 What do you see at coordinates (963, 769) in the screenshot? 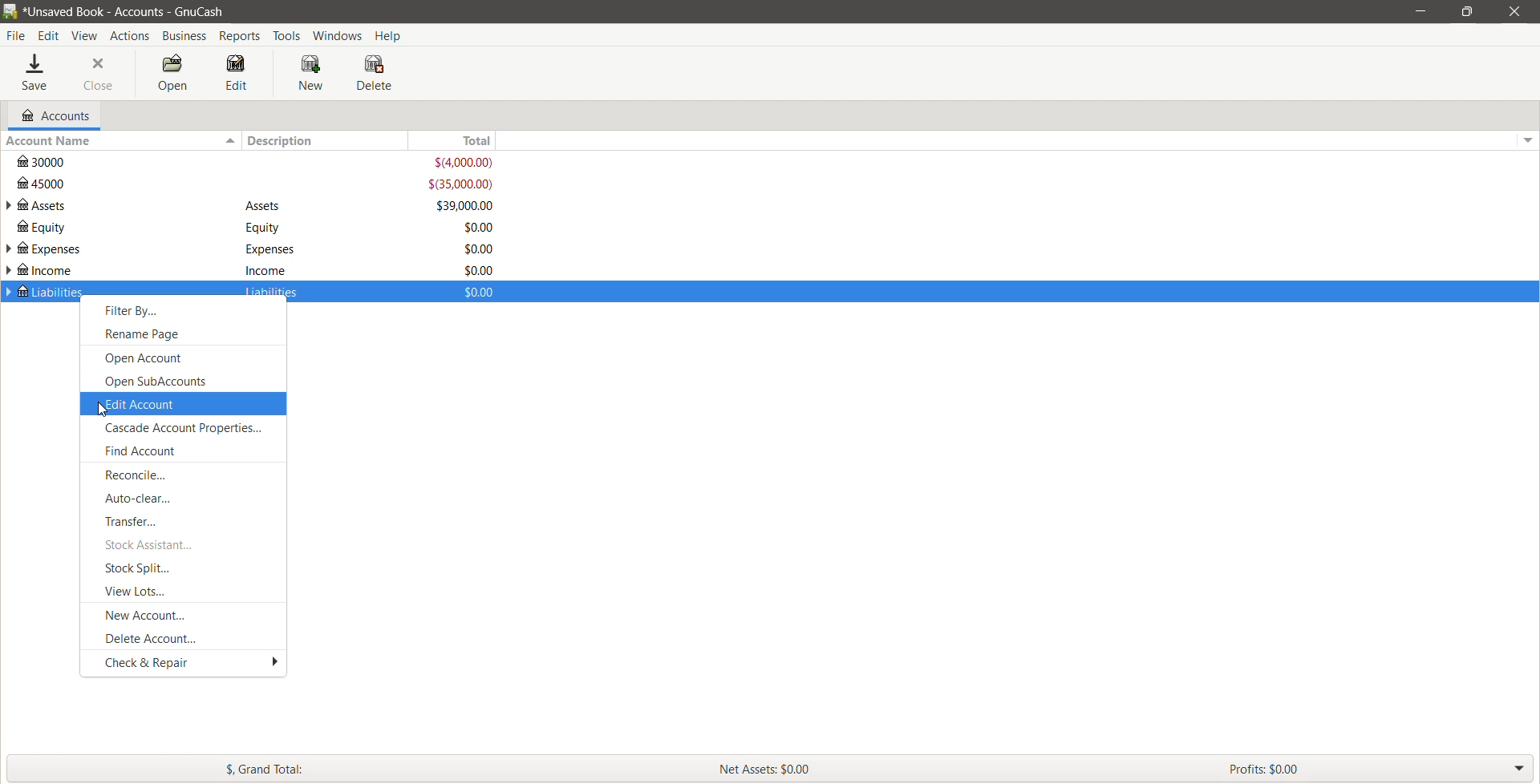
I see `Net Assets` at bounding box center [963, 769].